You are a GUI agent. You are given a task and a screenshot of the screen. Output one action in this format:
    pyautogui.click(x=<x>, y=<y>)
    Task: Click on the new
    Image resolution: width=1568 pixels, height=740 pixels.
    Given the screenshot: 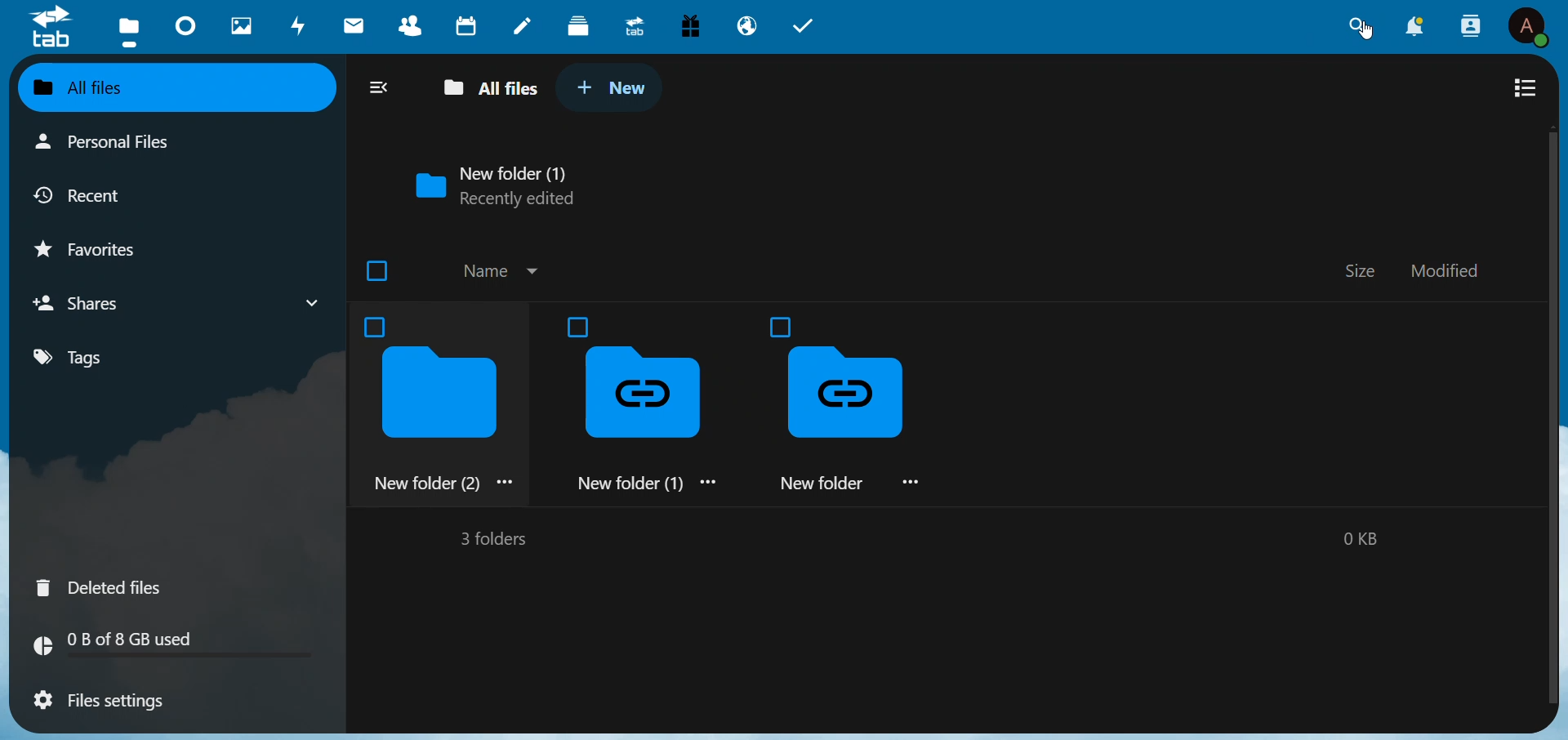 What is the action you would take?
    pyautogui.click(x=613, y=87)
    